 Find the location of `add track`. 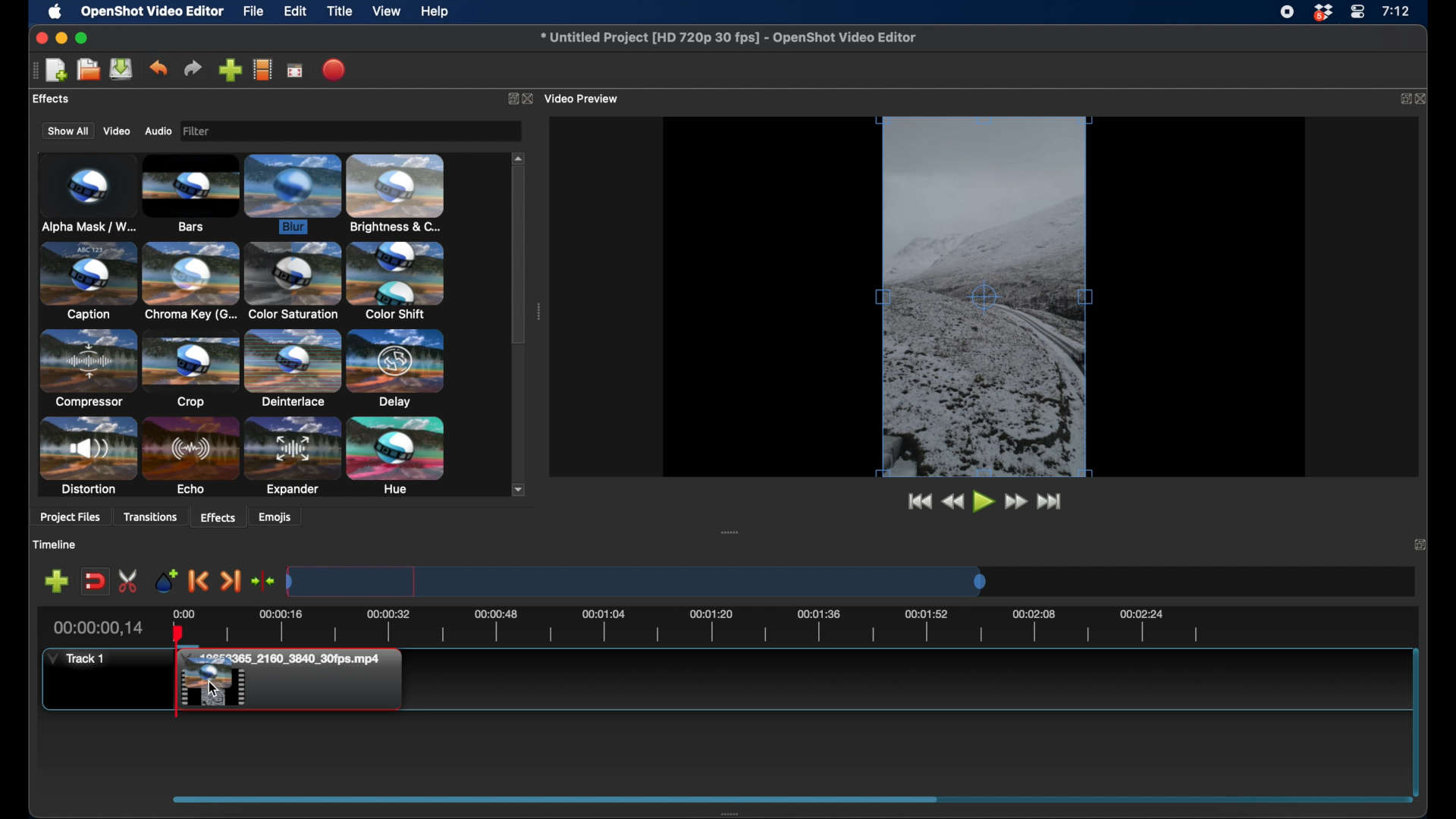

add track is located at coordinates (58, 580).